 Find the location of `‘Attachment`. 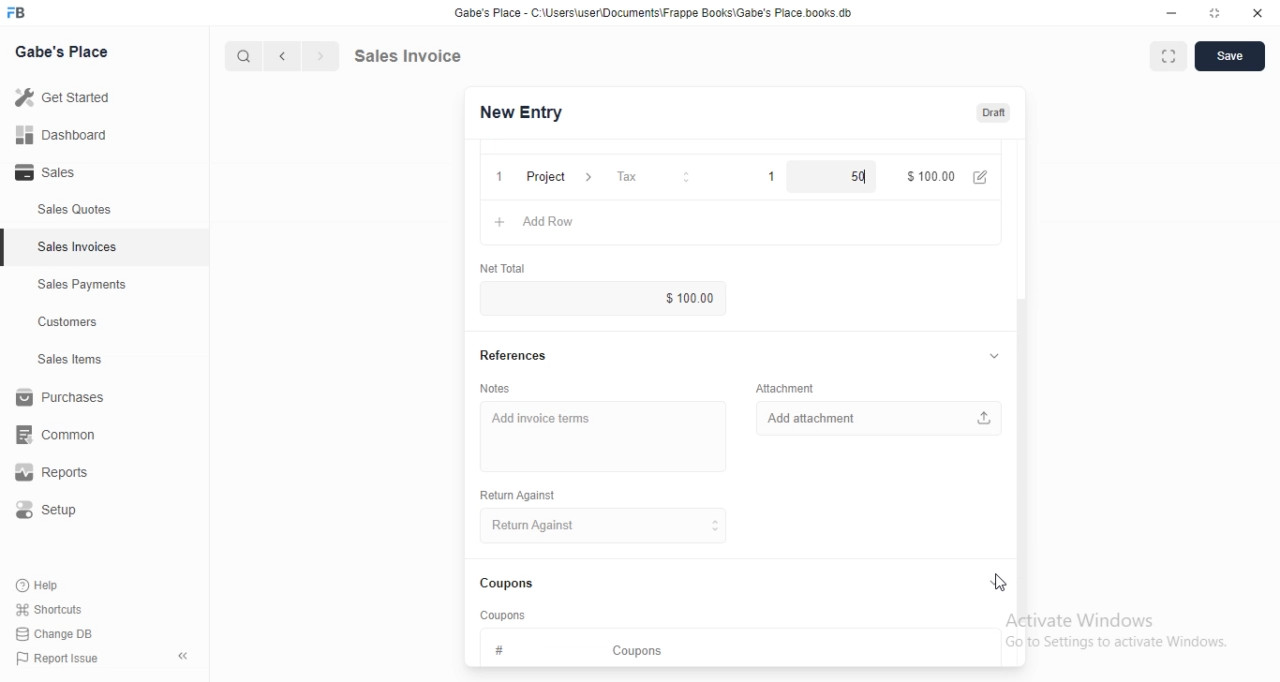

‘Attachment is located at coordinates (785, 388).